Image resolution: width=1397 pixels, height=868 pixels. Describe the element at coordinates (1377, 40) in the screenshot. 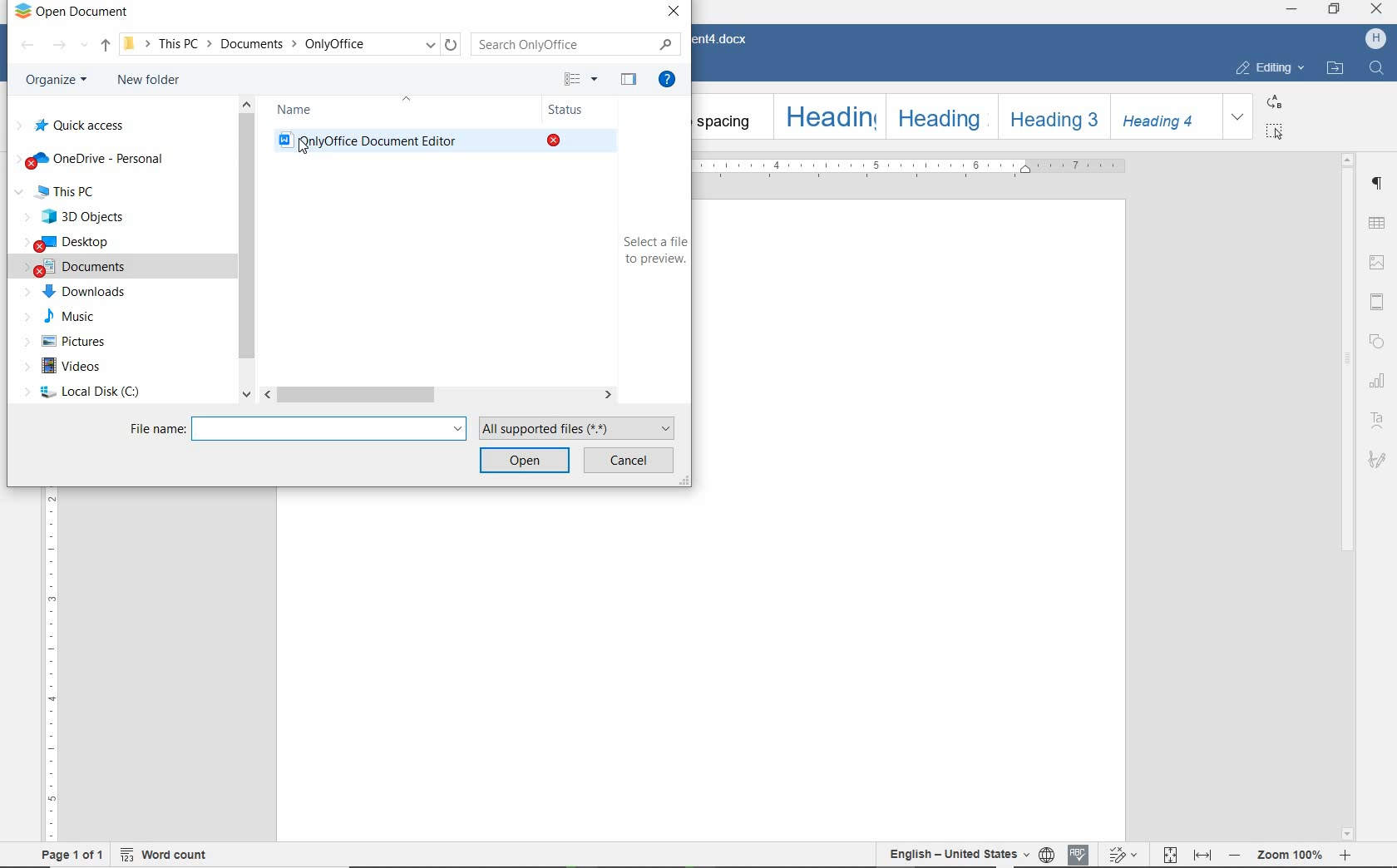

I see `H (User account)` at that location.